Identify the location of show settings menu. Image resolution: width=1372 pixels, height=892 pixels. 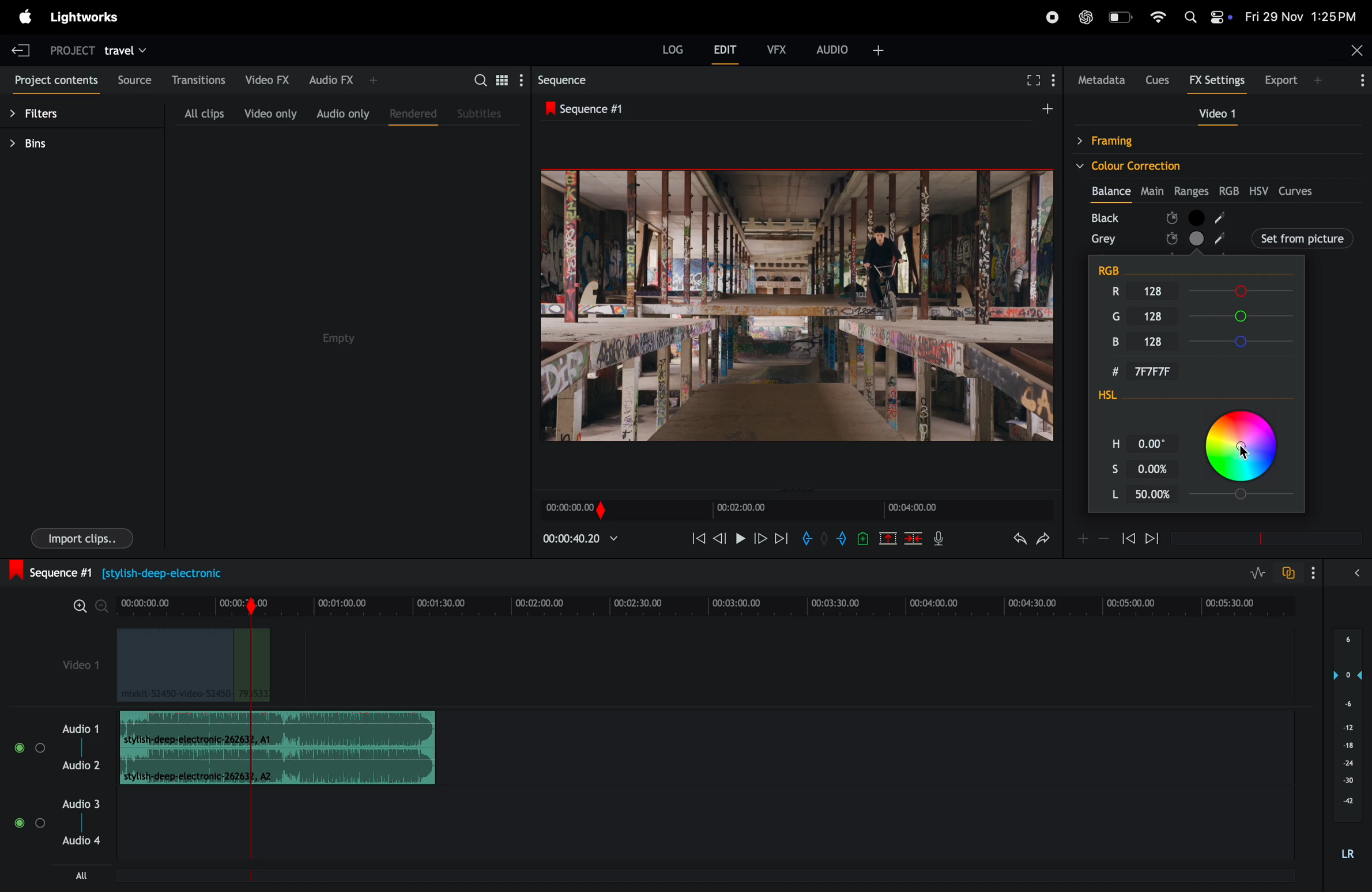
(525, 79).